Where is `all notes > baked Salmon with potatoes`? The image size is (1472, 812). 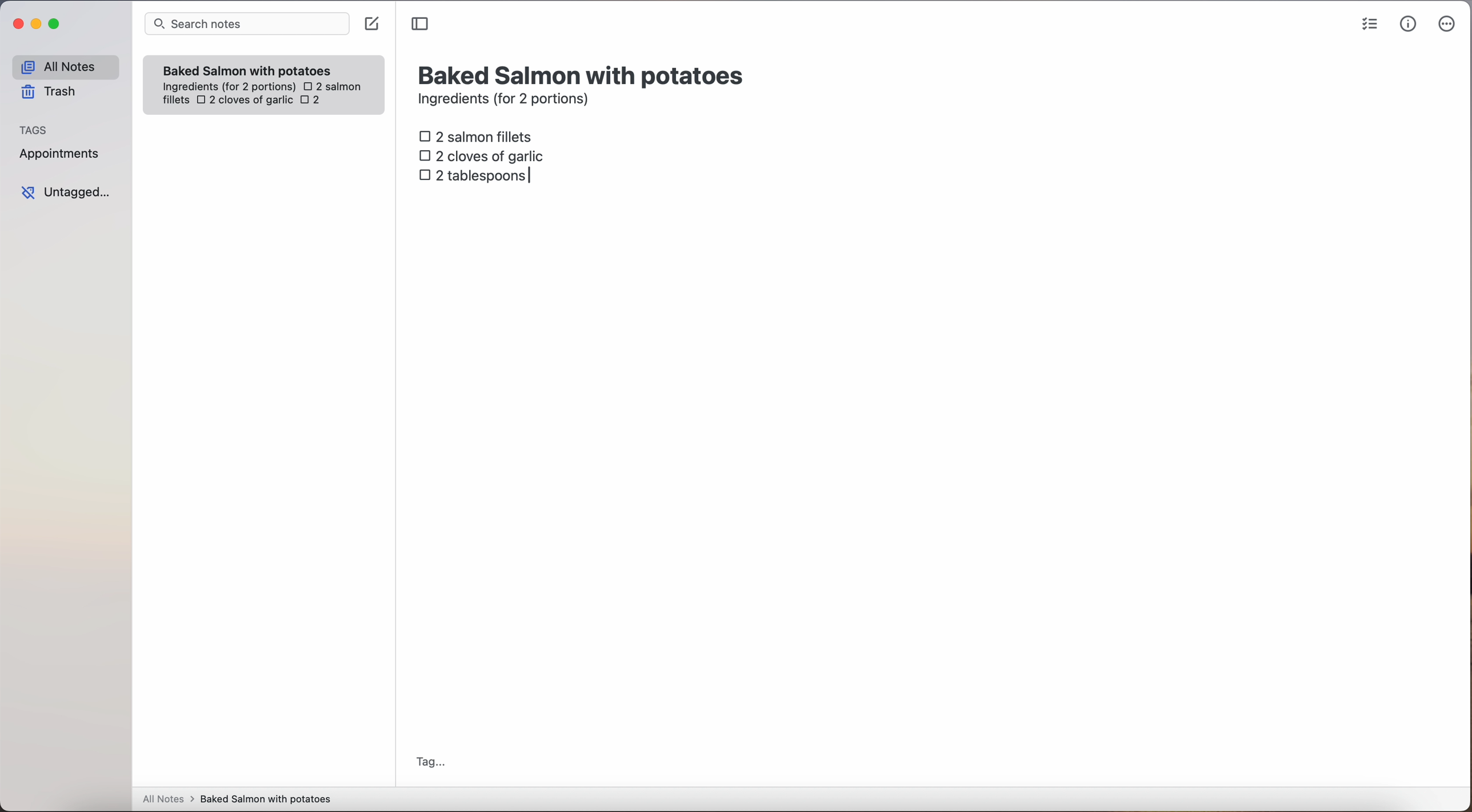
all notes > baked Salmon with potatoes is located at coordinates (237, 798).